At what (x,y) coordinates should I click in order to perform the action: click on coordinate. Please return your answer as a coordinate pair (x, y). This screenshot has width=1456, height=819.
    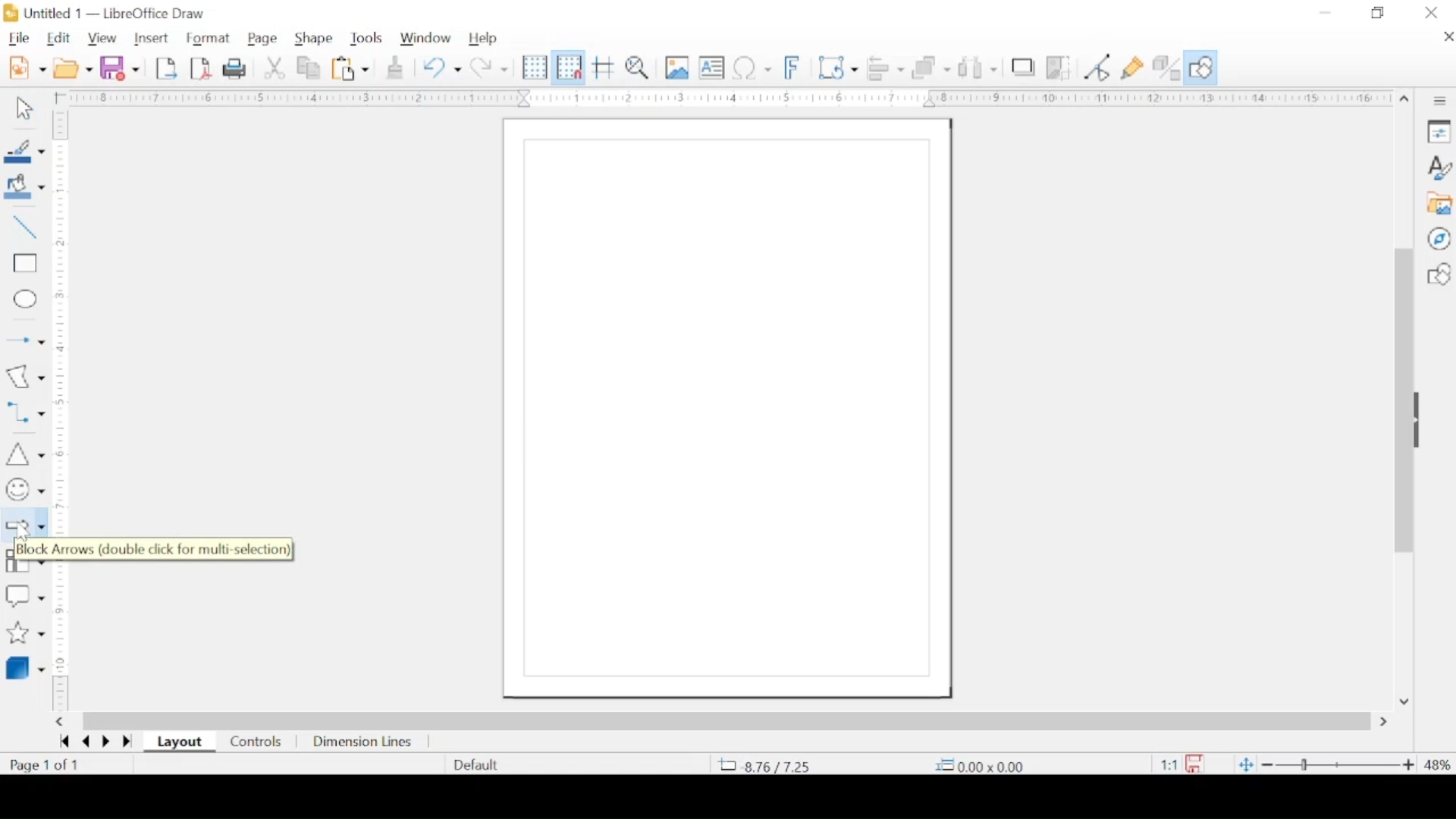
    Looking at the image, I should click on (768, 766).